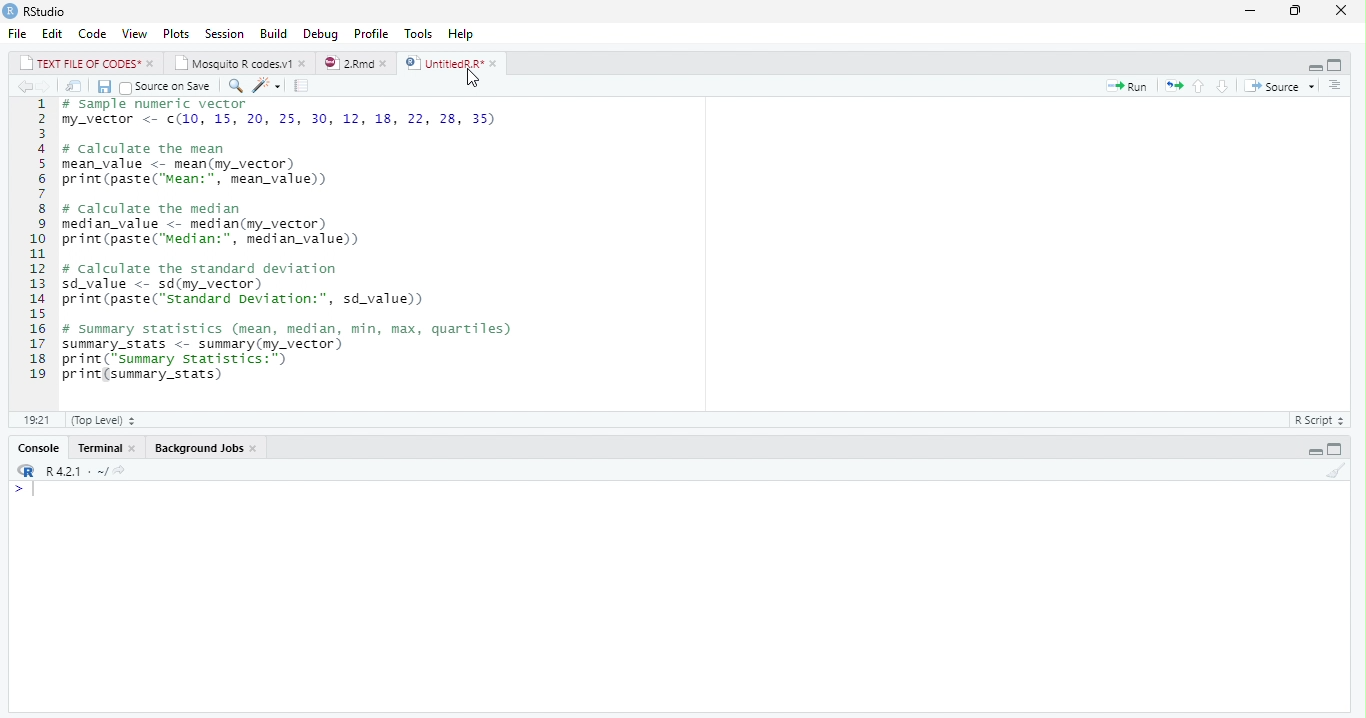  What do you see at coordinates (1250, 12) in the screenshot?
I see `minimize` at bounding box center [1250, 12].